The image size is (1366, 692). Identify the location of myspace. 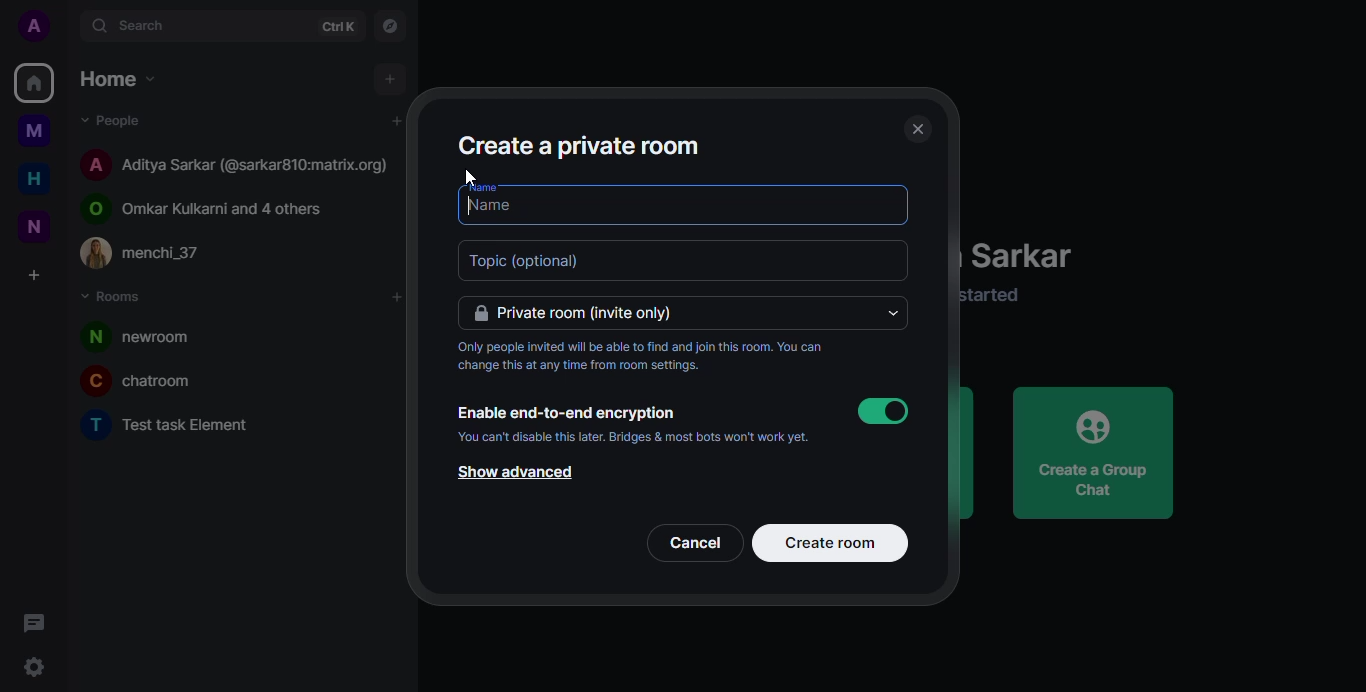
(35, 131).